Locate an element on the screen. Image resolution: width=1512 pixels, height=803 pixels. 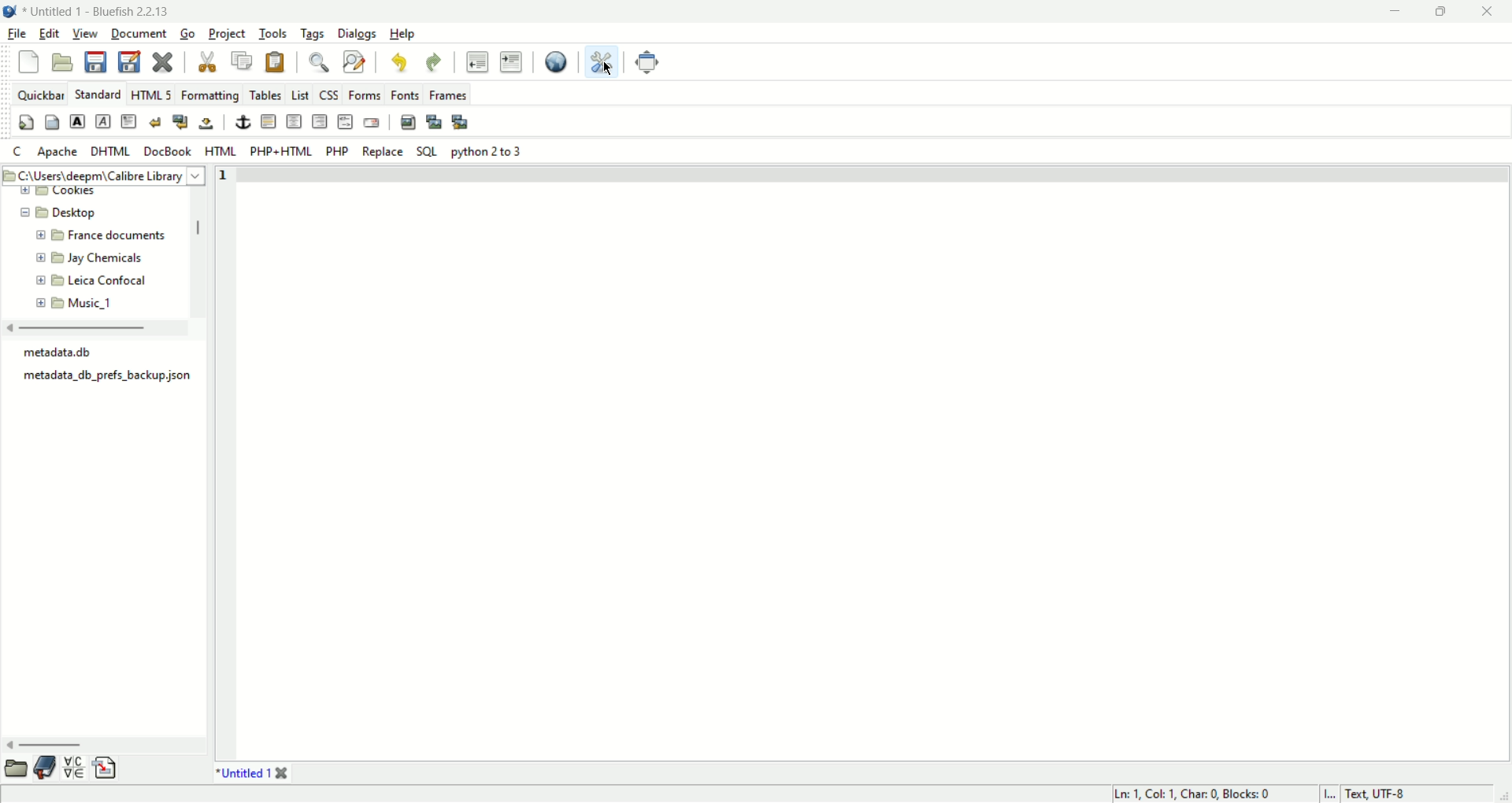
paragraph is located at coordinates (128, 121).